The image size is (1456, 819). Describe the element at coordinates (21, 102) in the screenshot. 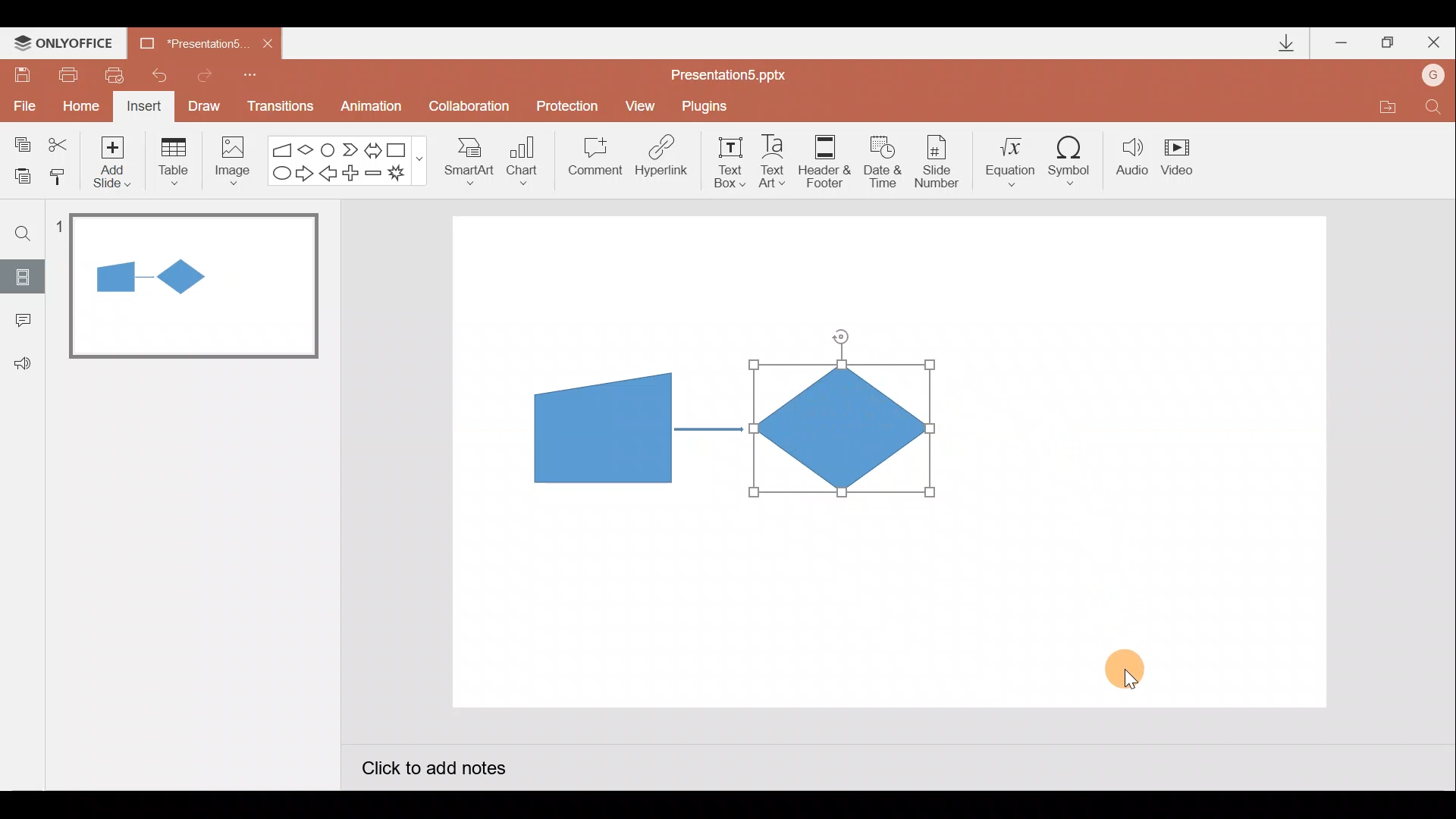

I see `File` at that location.